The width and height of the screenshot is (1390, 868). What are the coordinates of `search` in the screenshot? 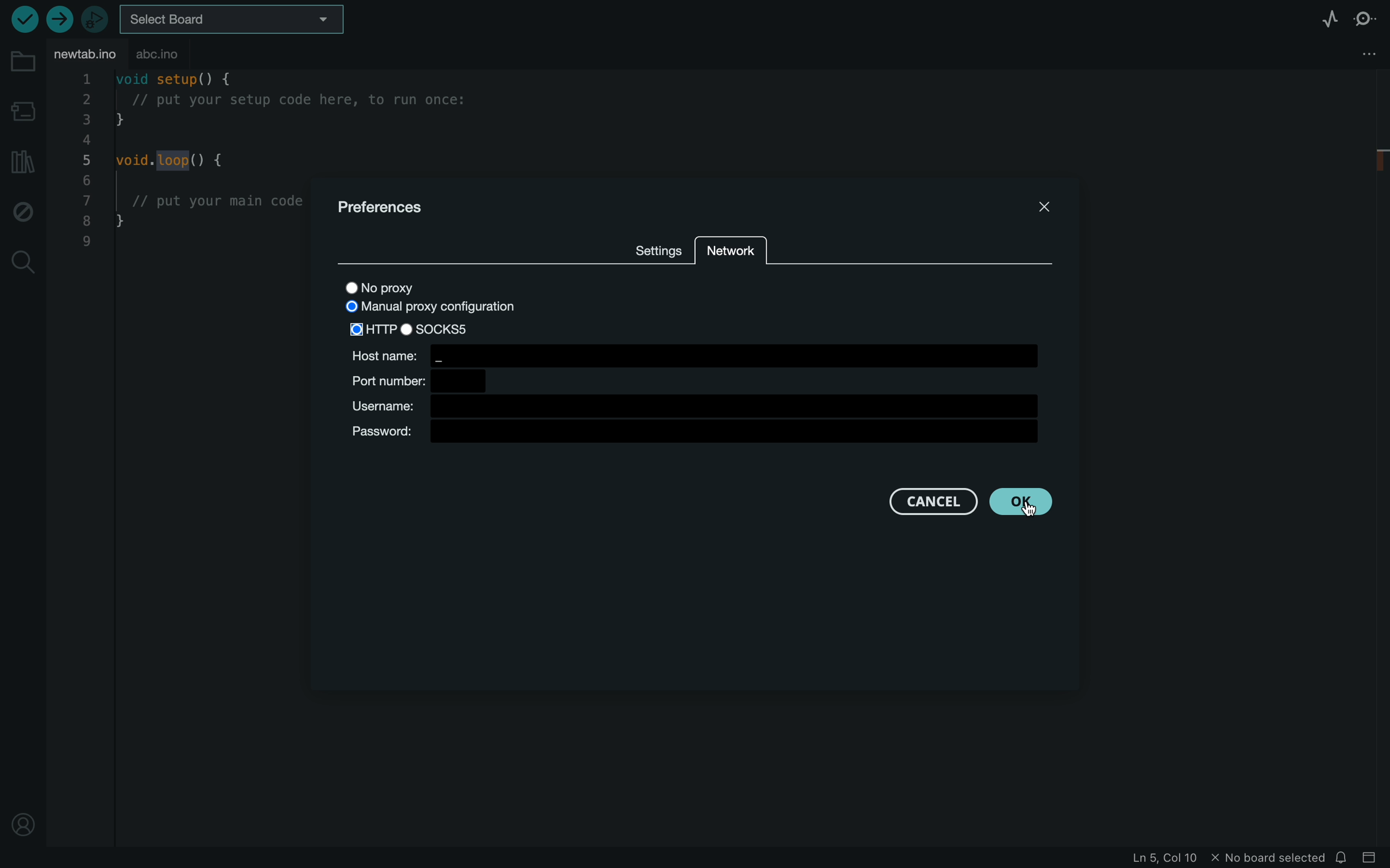 It's located at (24, 262).